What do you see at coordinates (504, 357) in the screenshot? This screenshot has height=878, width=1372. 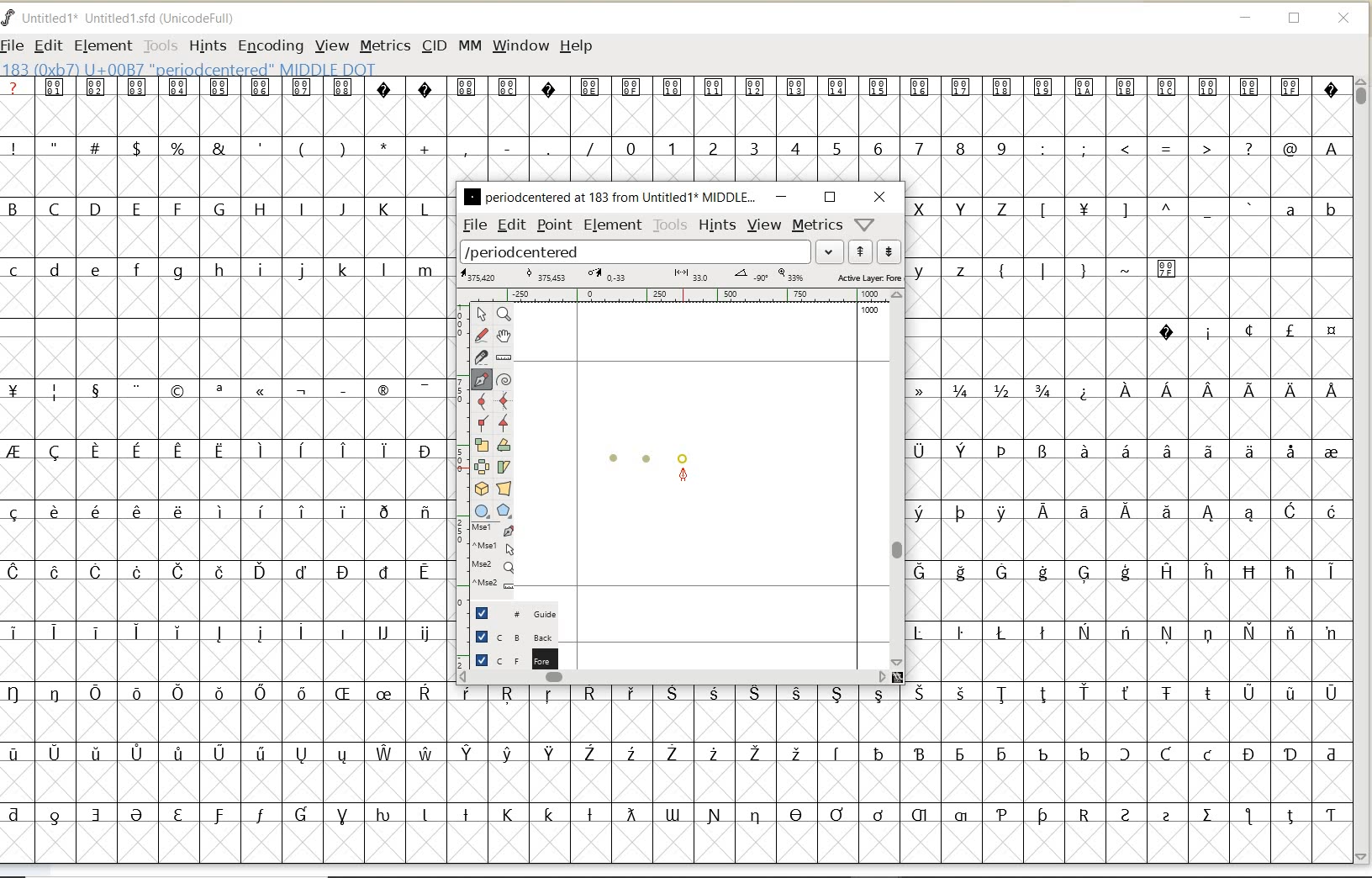 I see `measure a distance, angle between points` at bounding box center [504, 357].